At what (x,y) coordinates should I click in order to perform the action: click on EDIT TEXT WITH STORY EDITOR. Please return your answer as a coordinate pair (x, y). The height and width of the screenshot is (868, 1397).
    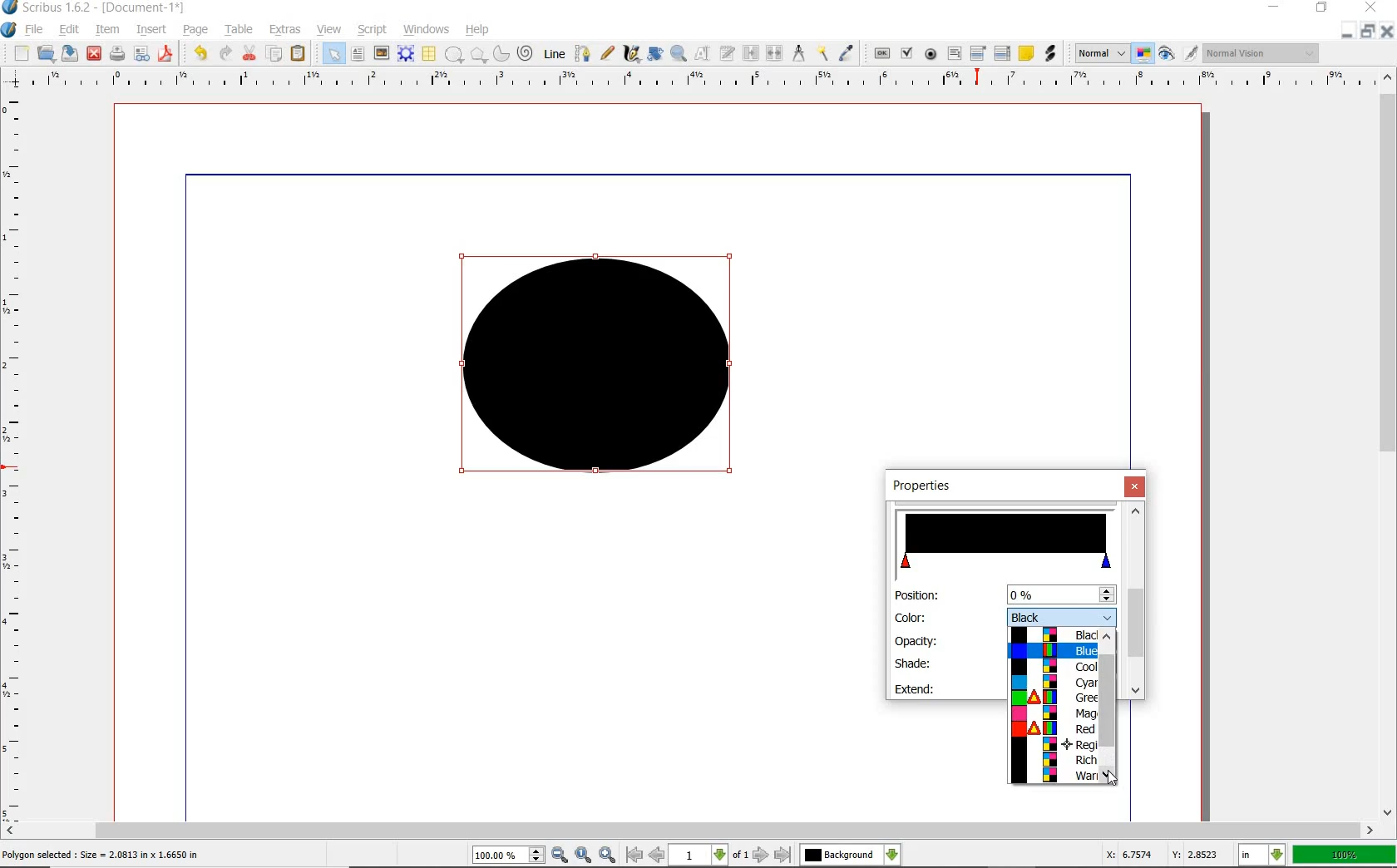
    Looking at the image, I should click on (728, 53).